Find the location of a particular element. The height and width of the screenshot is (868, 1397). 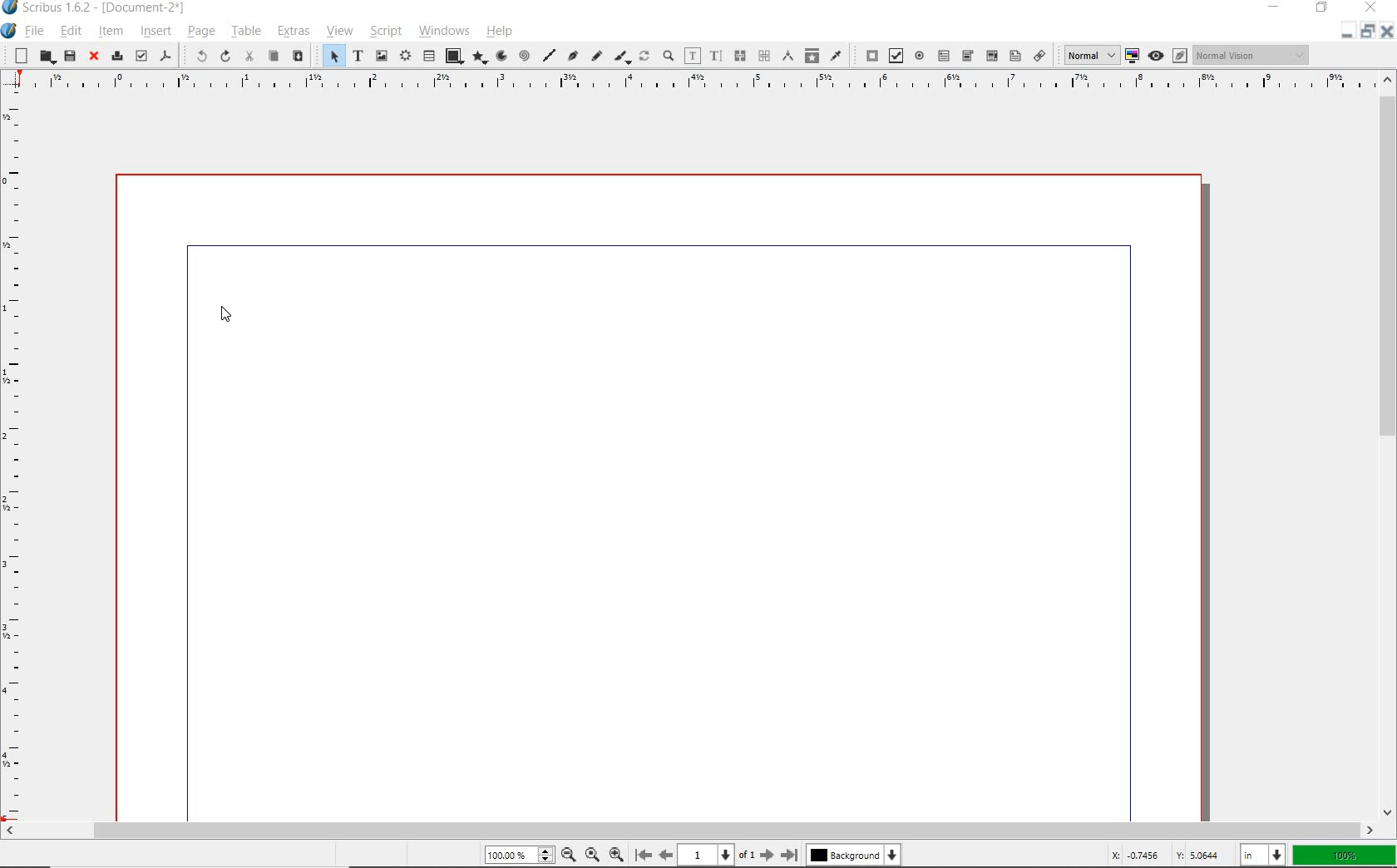

zoom in is located at coordinates (568, 854).